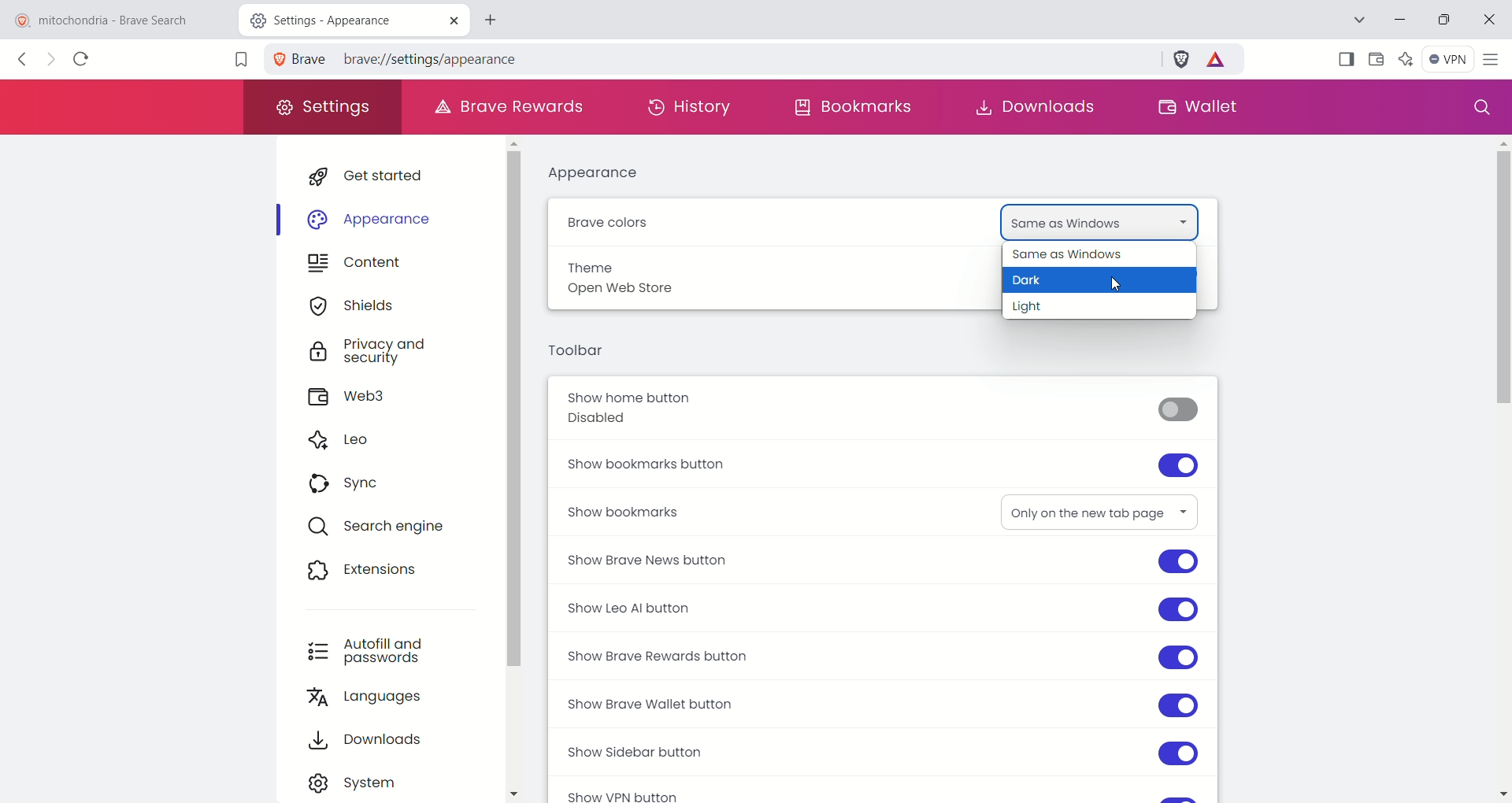 The width and height of the screenshot is (1512, 803). What do you see at coordinates (395, 528) in the screenshot?
I see `search engine` at bounding box center [395, 528].